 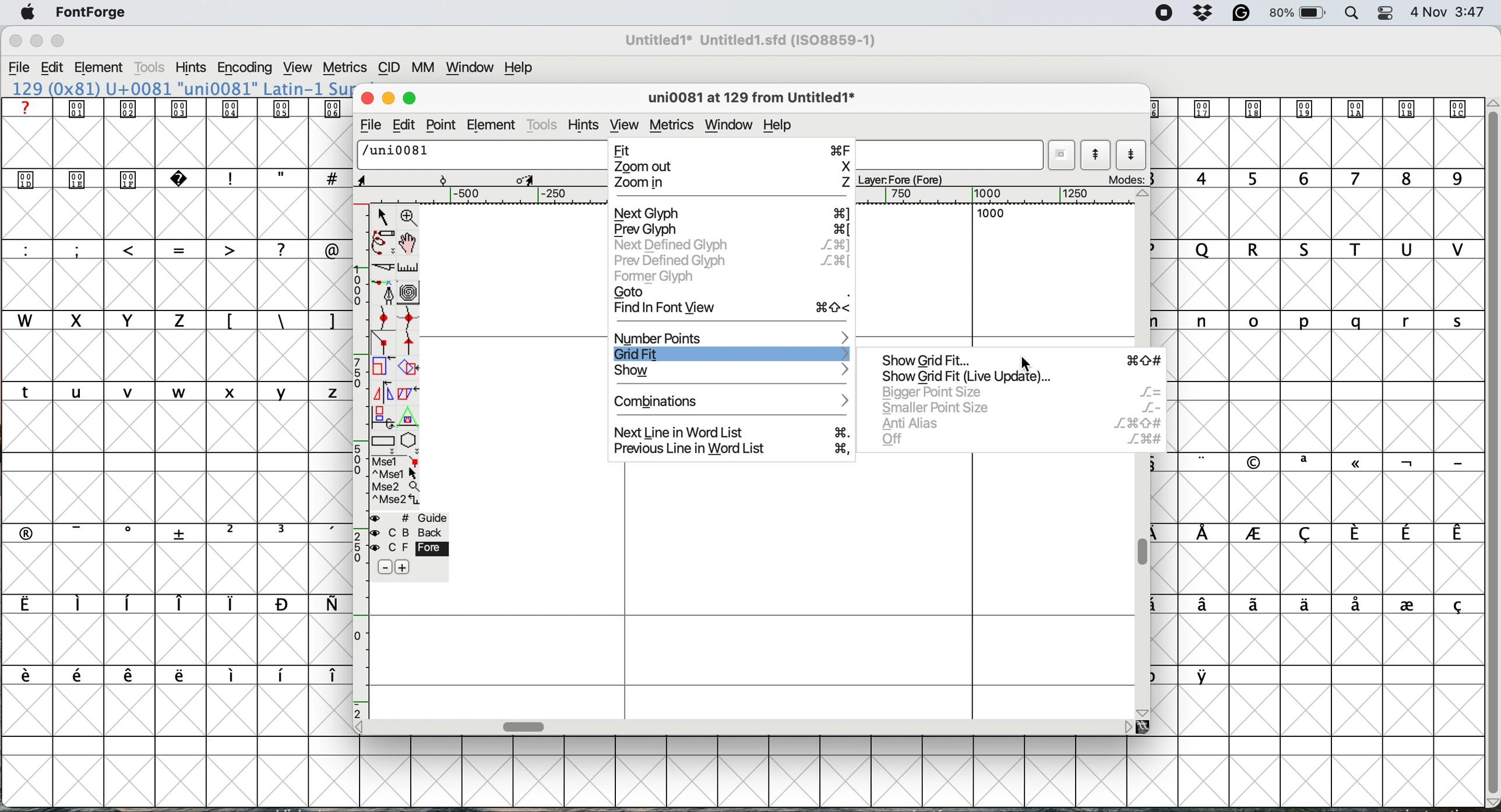 What do you see at coordinates (383, 391) in the screenshot?
I see `flip the selection` at bounding box center [383, 391].